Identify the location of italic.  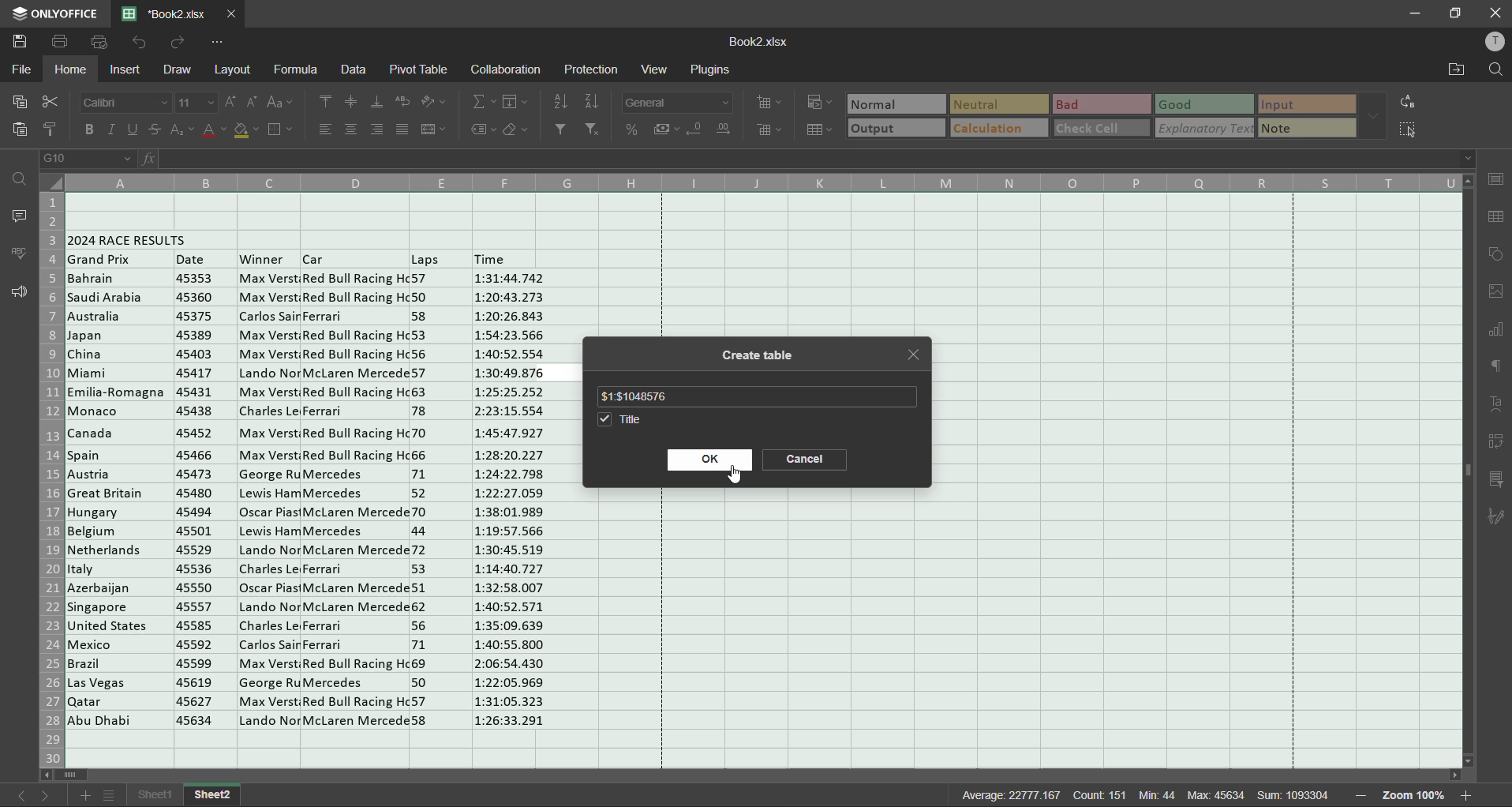
(113, 130).